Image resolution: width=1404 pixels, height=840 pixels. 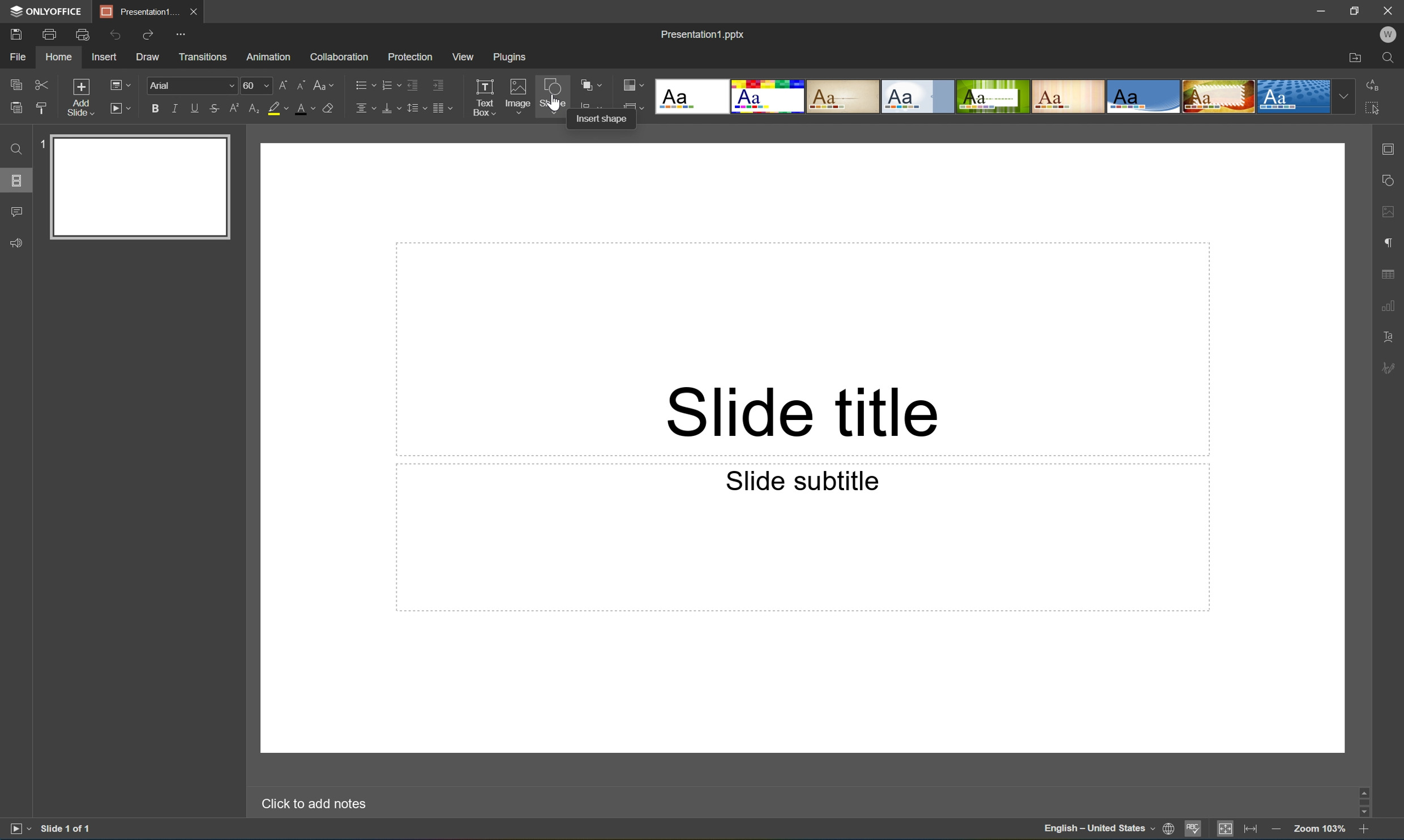 I want to click on Scroll Bar, so click(x=1360, y=803).